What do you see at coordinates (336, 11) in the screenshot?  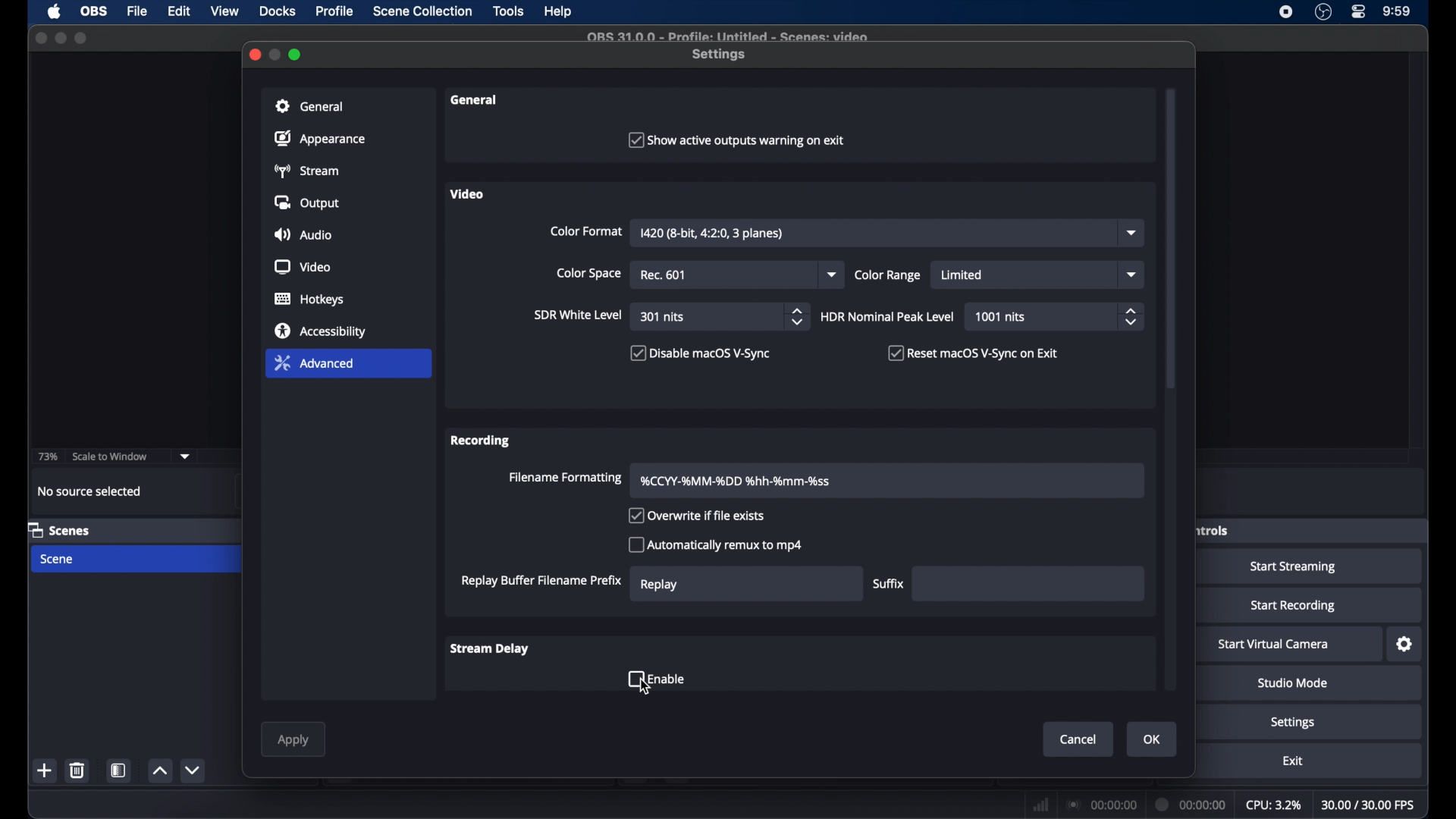 I see `profile` at bounding box center [336, 11].